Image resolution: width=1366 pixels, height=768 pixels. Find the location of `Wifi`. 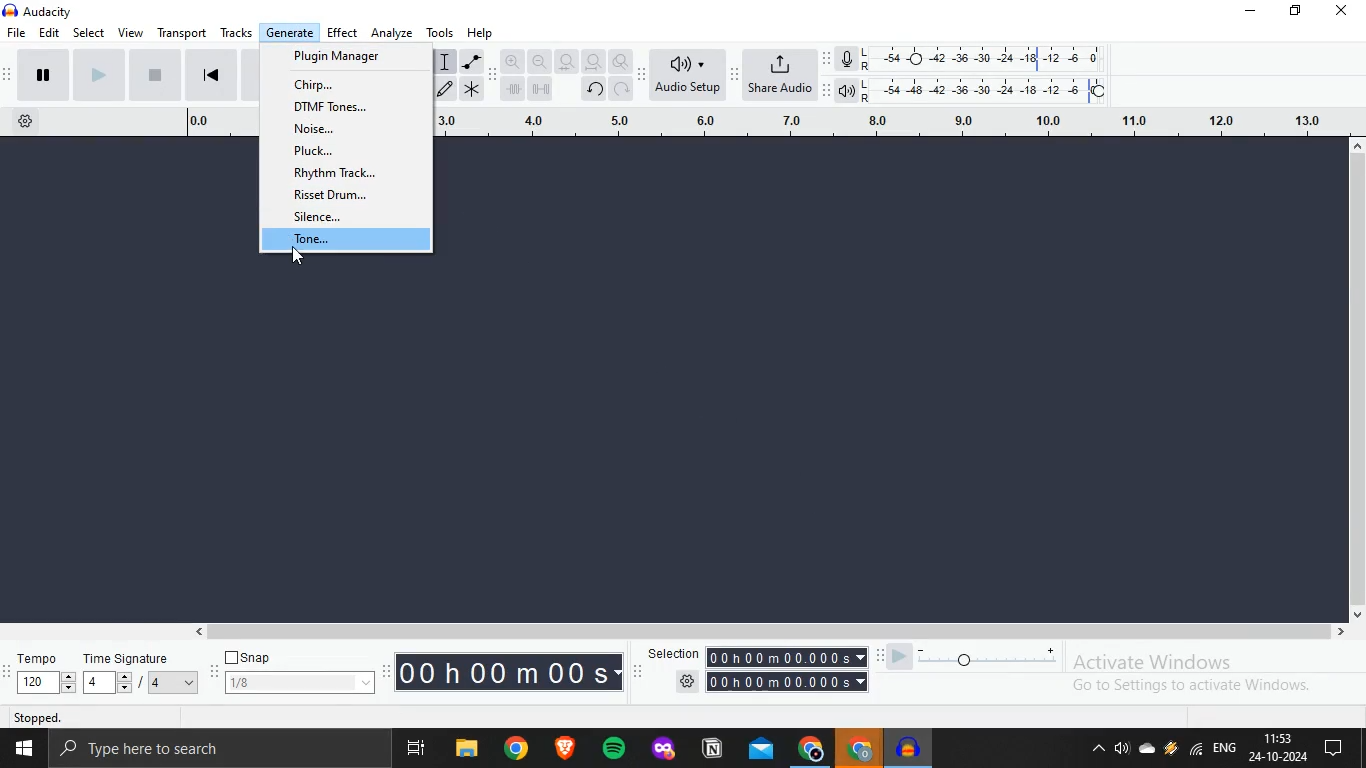

Wifi is located at coordinates (1197, 752).